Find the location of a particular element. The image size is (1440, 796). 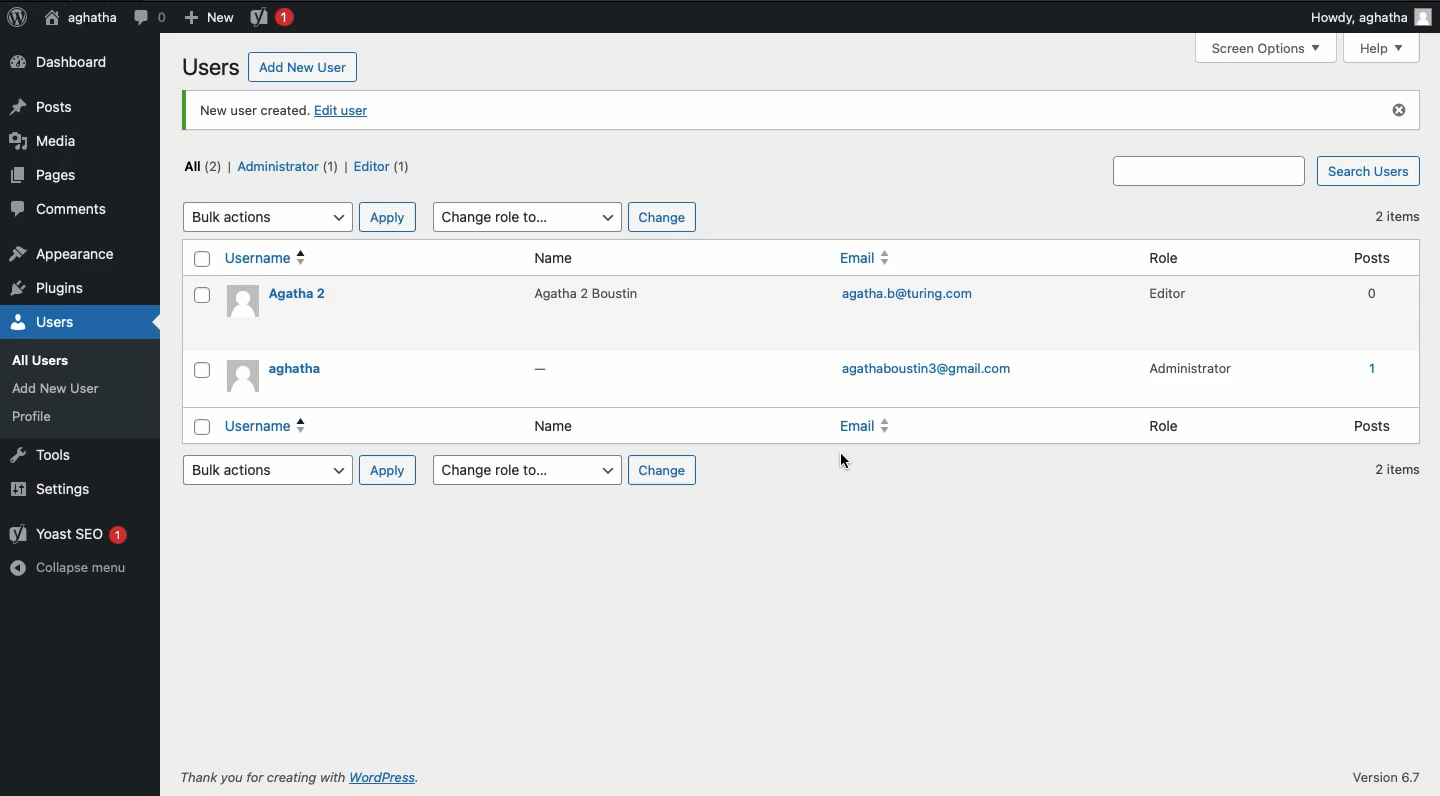

Users is located at coordinates (64, 322).